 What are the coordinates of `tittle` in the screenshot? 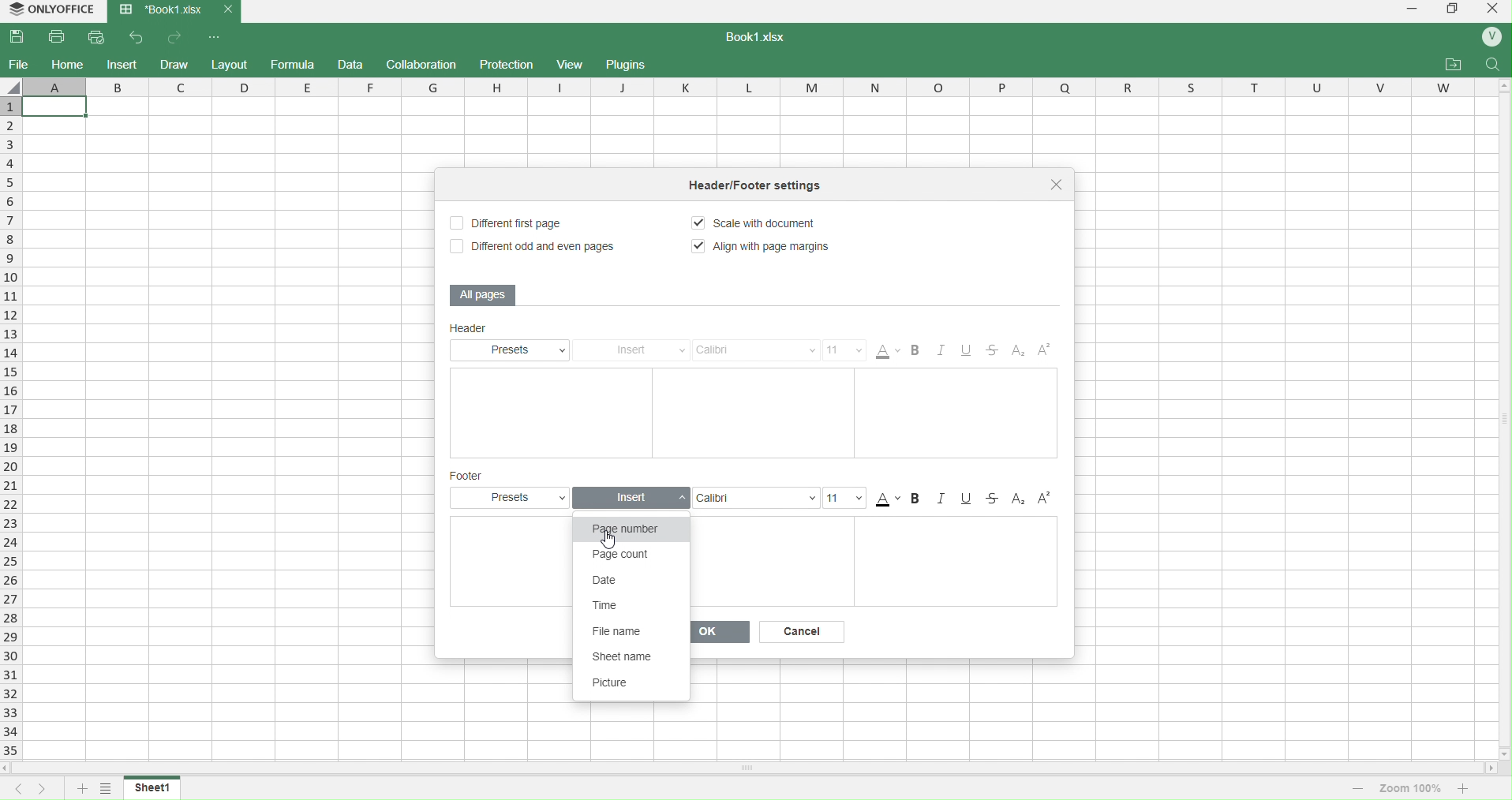 It's located at (775, 188).